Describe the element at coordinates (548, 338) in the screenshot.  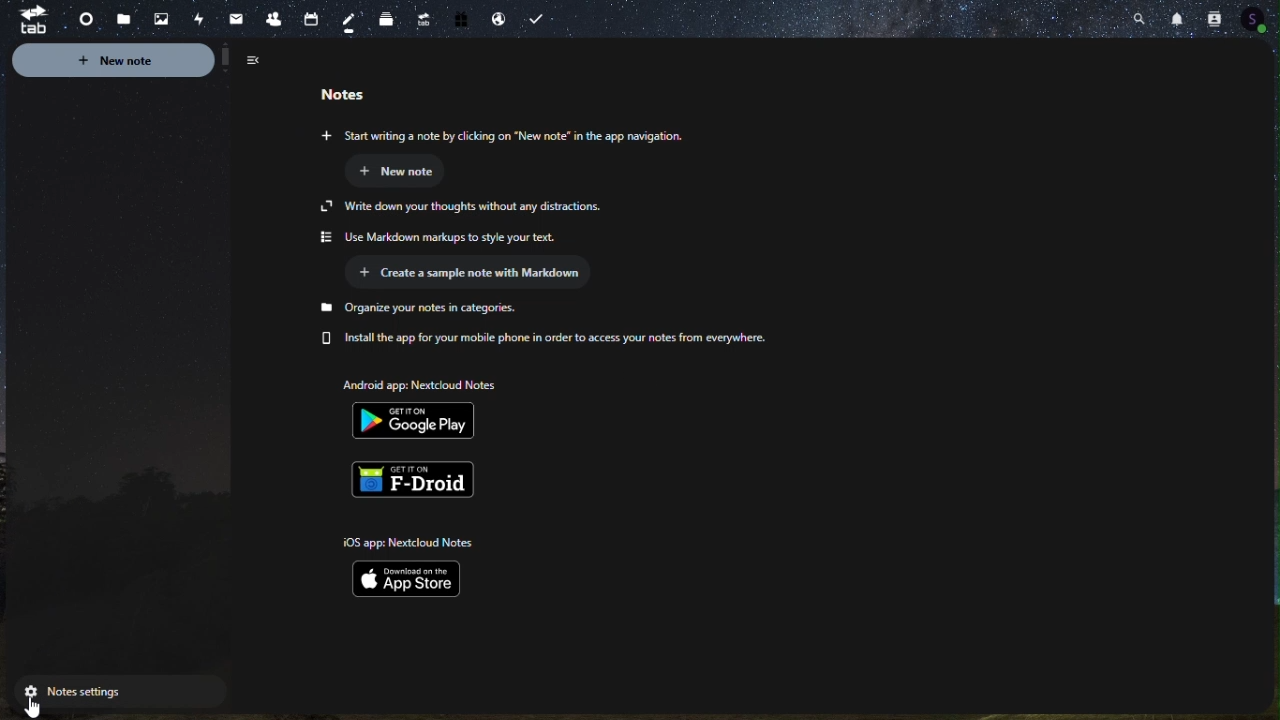
I see `Install the app for your mobile phone in order to access your notes from everywhere.` at that location.